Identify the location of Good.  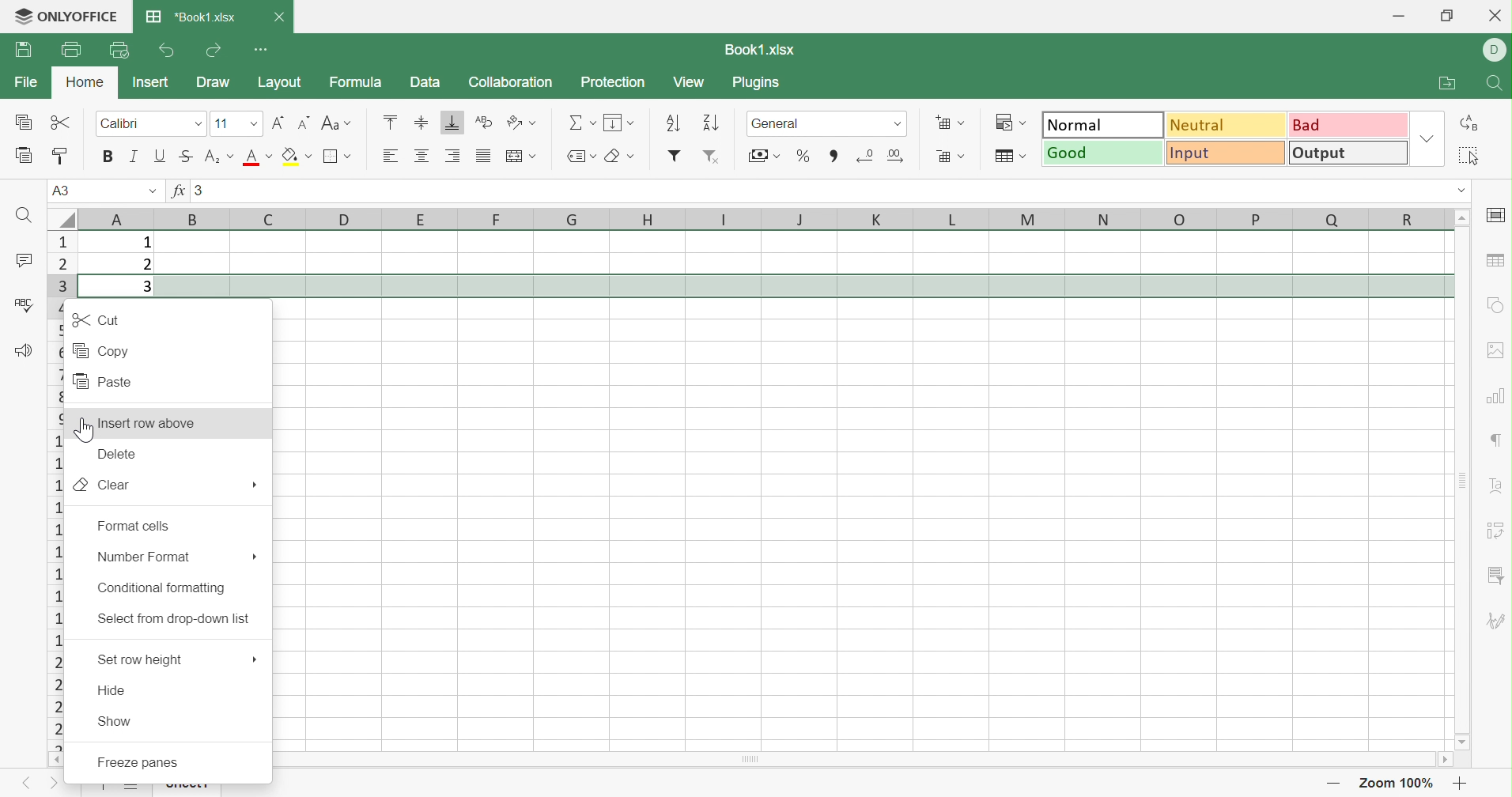
(1103, 153).